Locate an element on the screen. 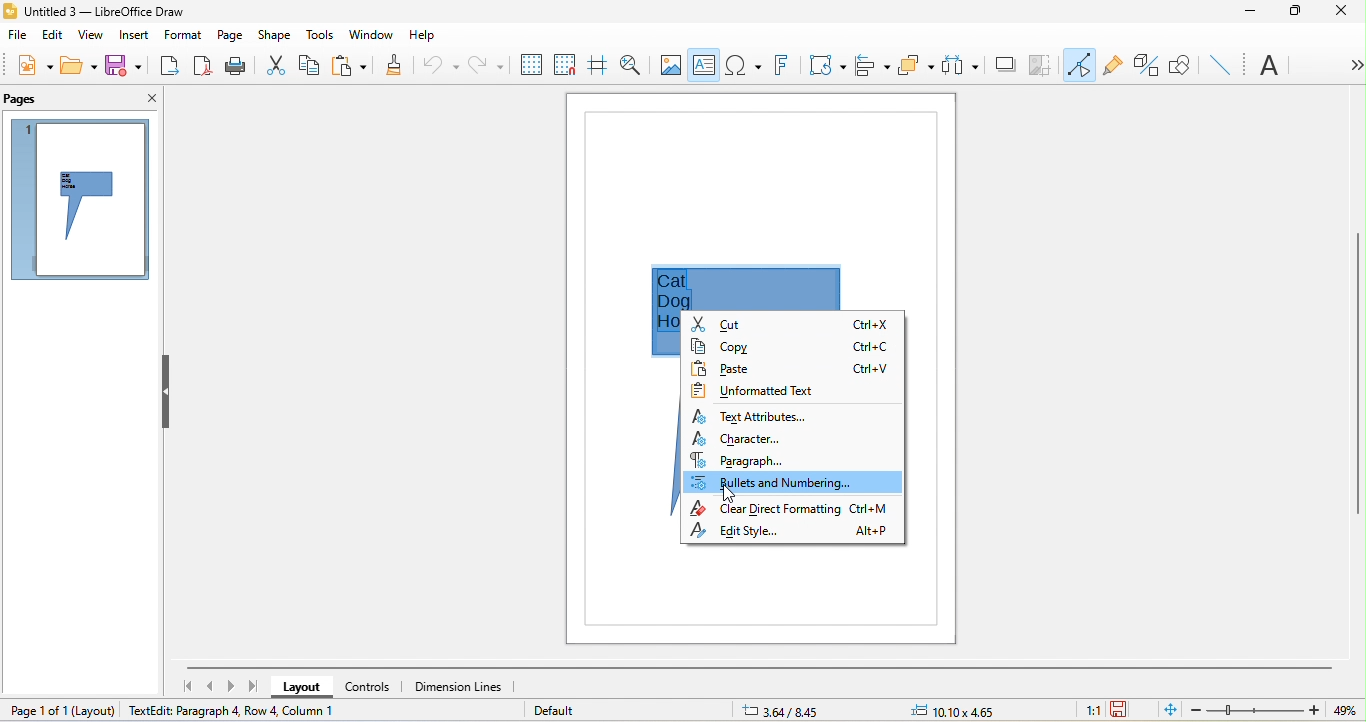 This screenshot has height=722, width=1366. character is located at coordinates (750, 439).